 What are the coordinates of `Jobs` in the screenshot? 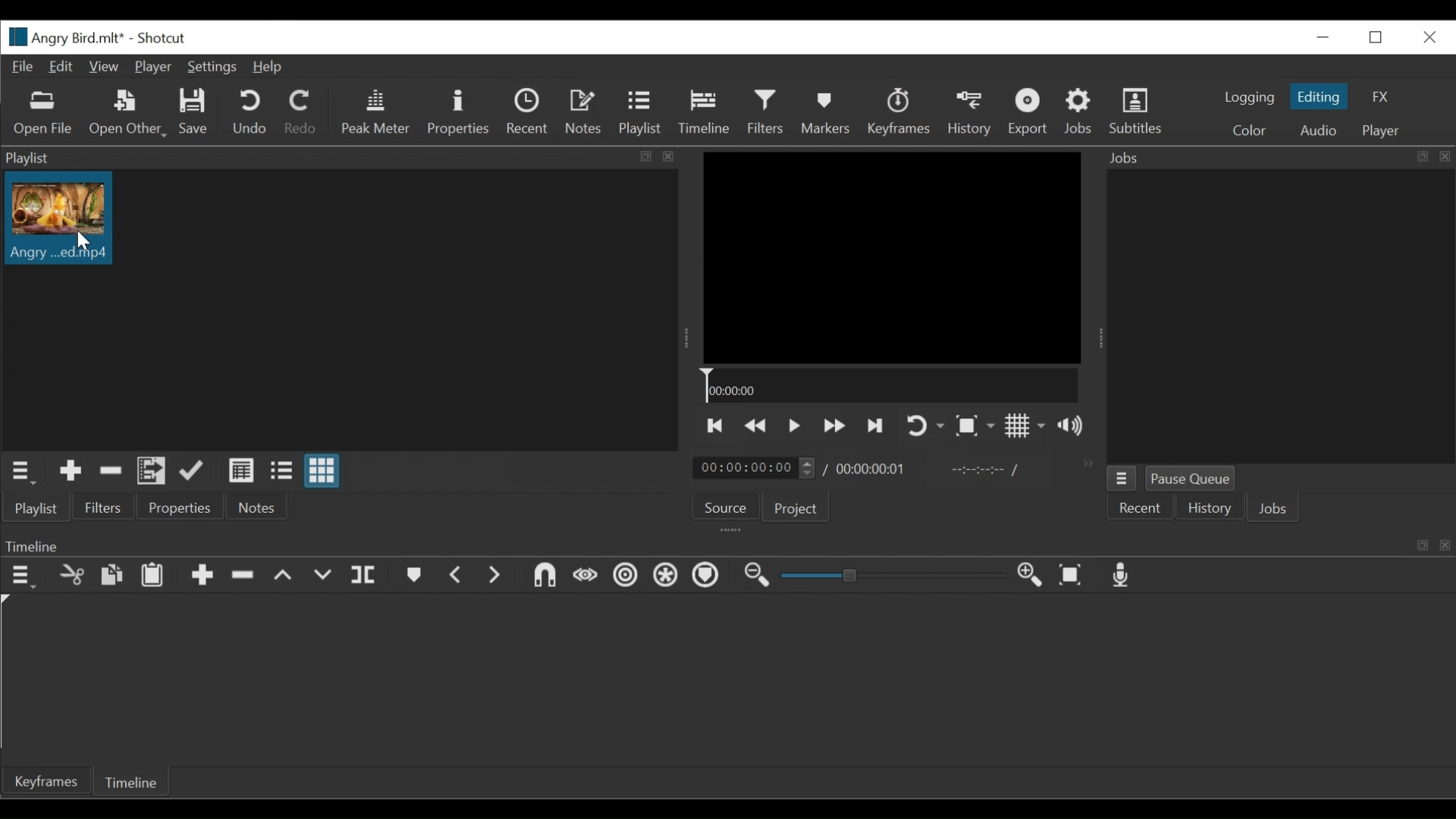 It's located at (1081, 111).